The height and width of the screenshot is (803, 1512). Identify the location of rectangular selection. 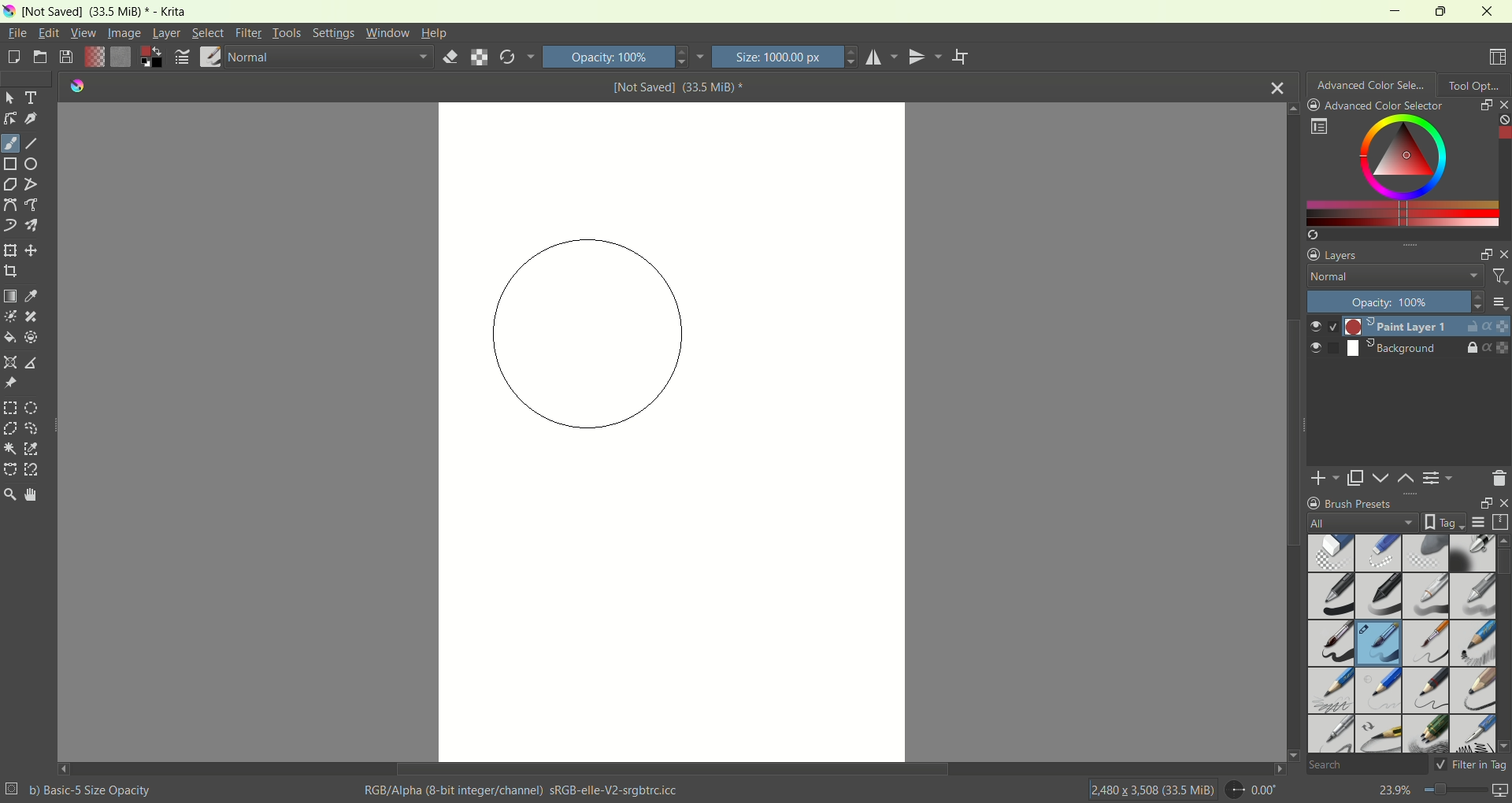
(10, 408).